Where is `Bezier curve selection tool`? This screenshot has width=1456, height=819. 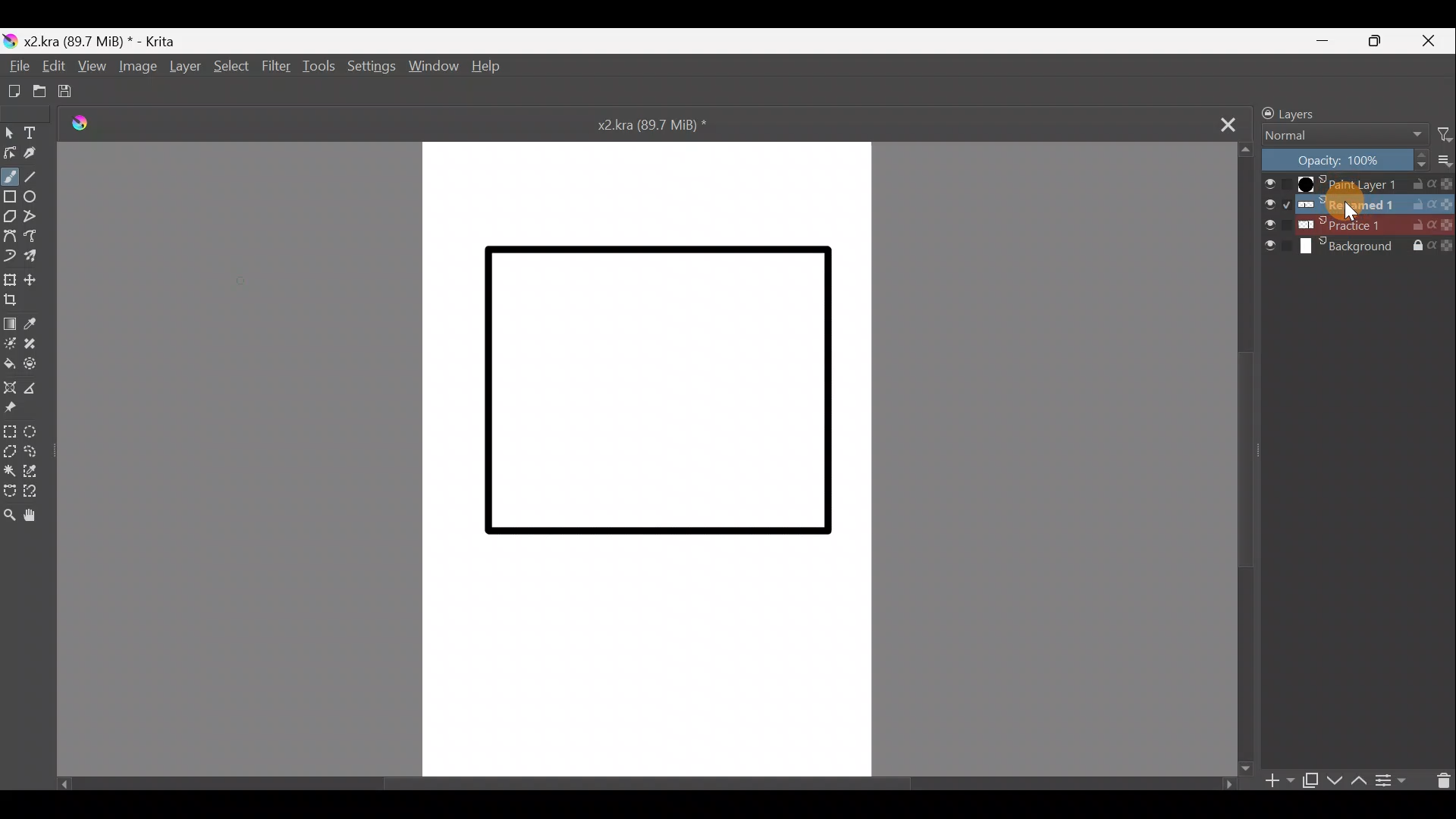
Bezier curve selection tool is located at coordinates (9, 491).